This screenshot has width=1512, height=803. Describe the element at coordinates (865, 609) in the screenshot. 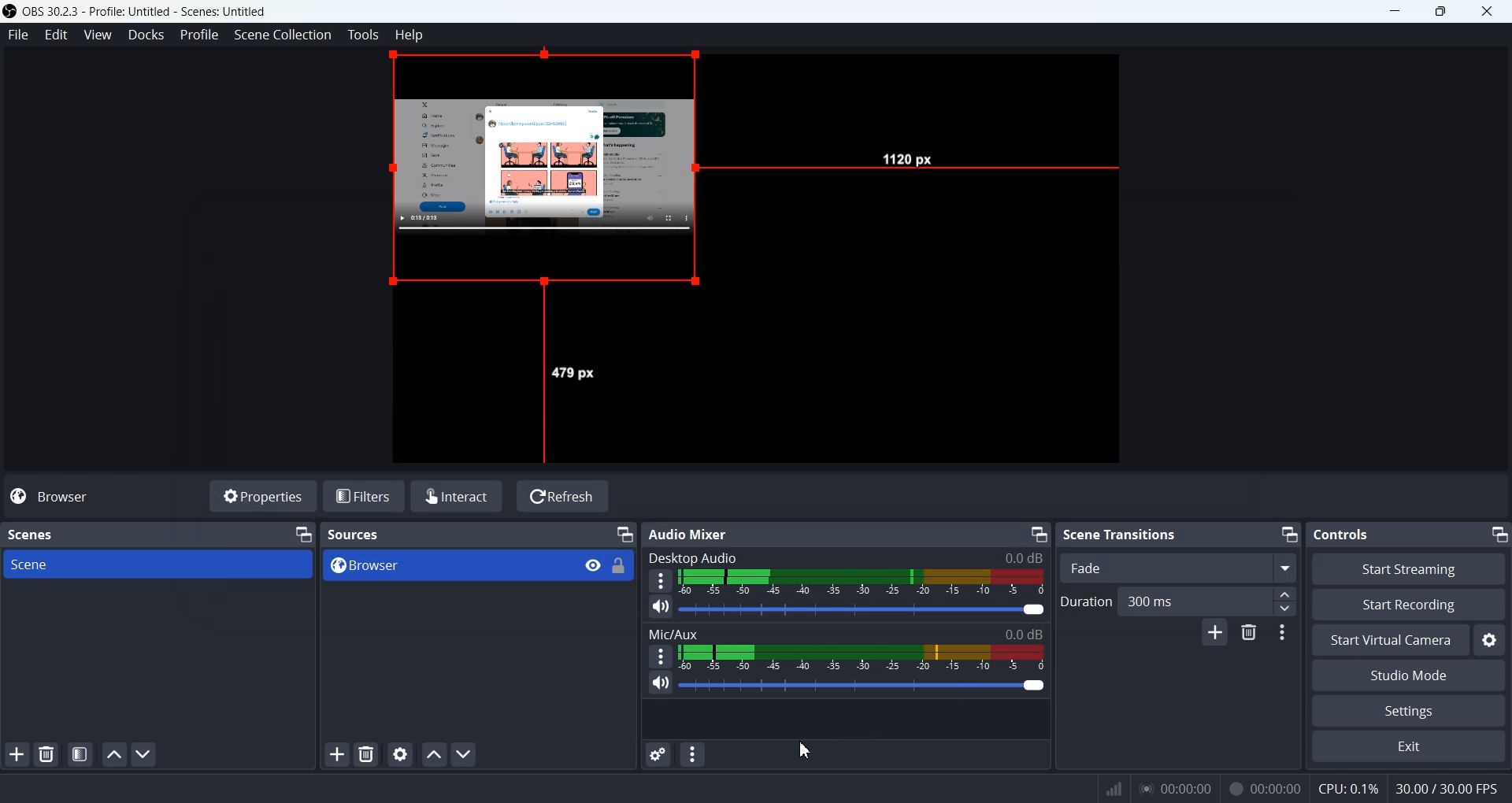

I see `Volume adjuster` at that location.